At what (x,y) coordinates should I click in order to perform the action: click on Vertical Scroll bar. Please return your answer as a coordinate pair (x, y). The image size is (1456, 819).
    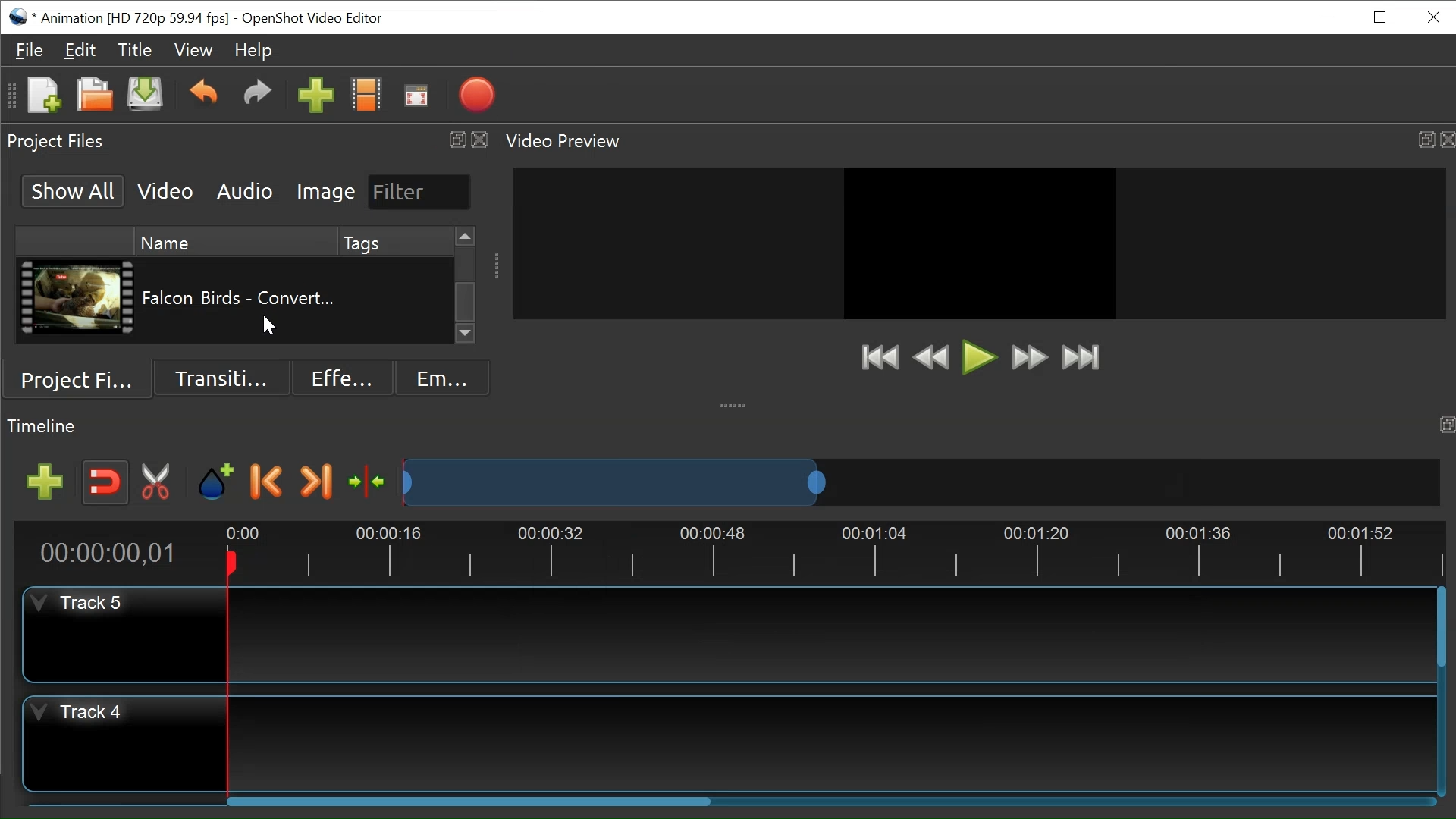
    Looking at the image, I should click on (466, 303).